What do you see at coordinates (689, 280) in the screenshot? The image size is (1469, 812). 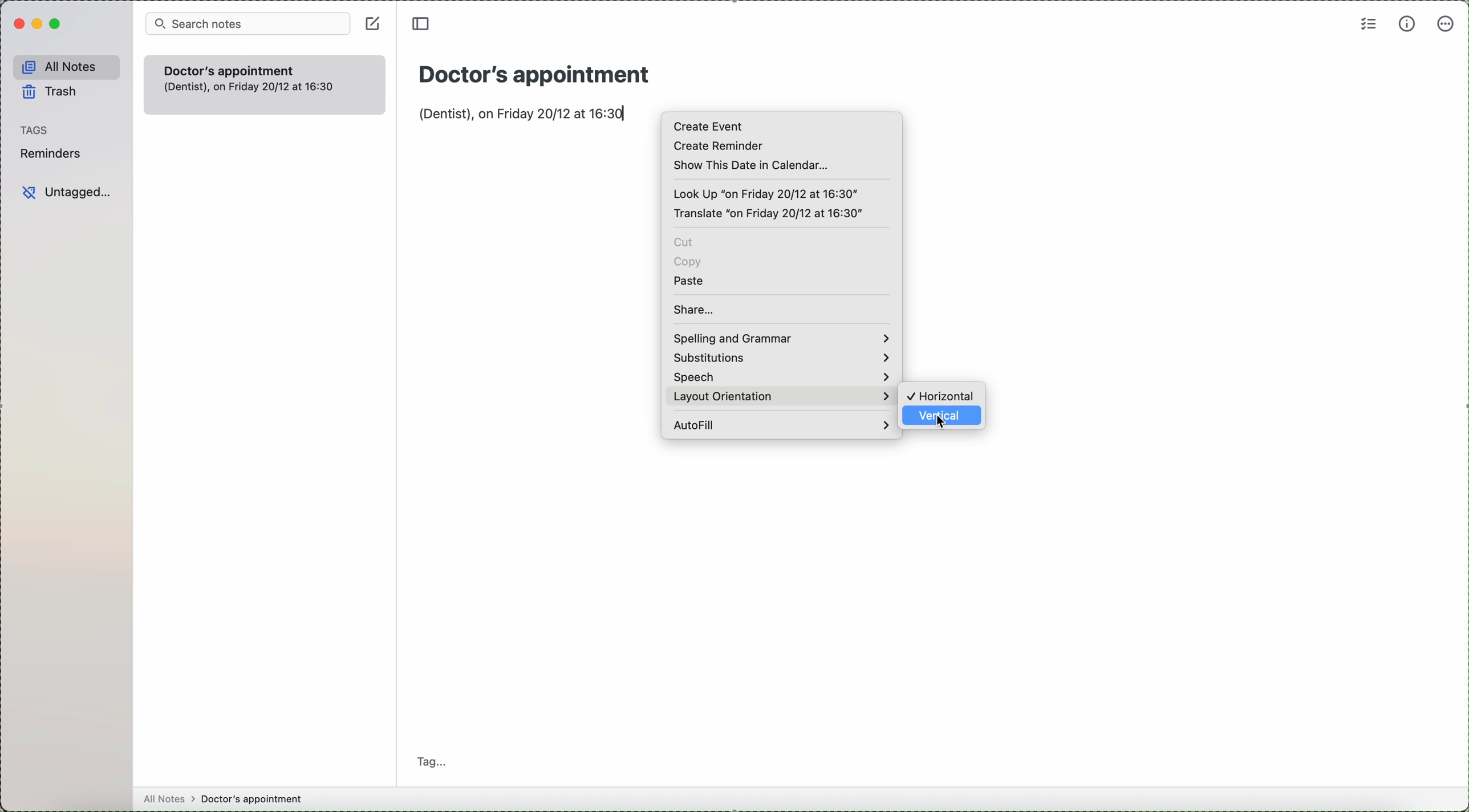 I see `paste` at bounding box center [689, 280].